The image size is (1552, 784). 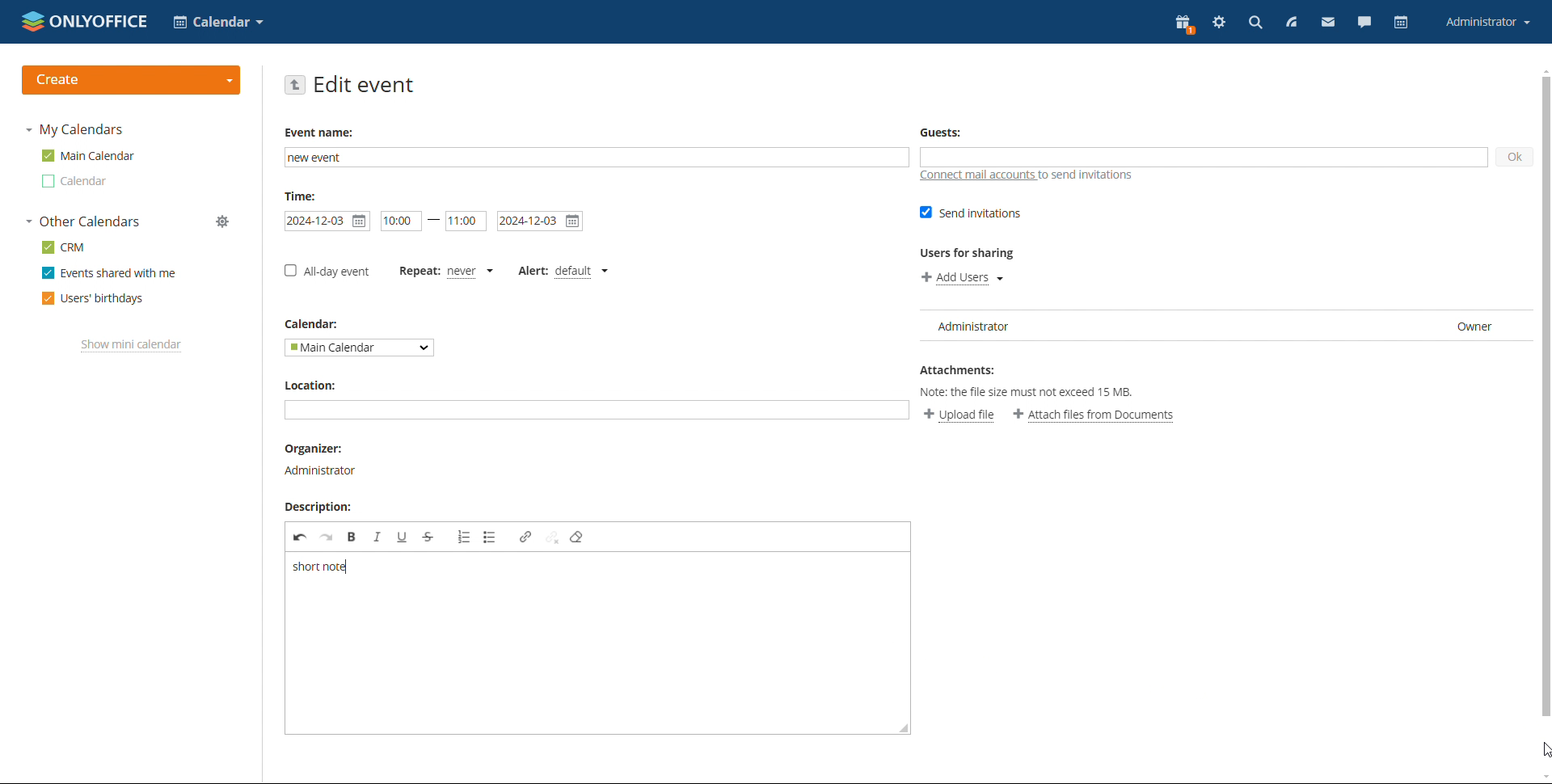 I want to click on other calendars, so click(x=84, y=221).